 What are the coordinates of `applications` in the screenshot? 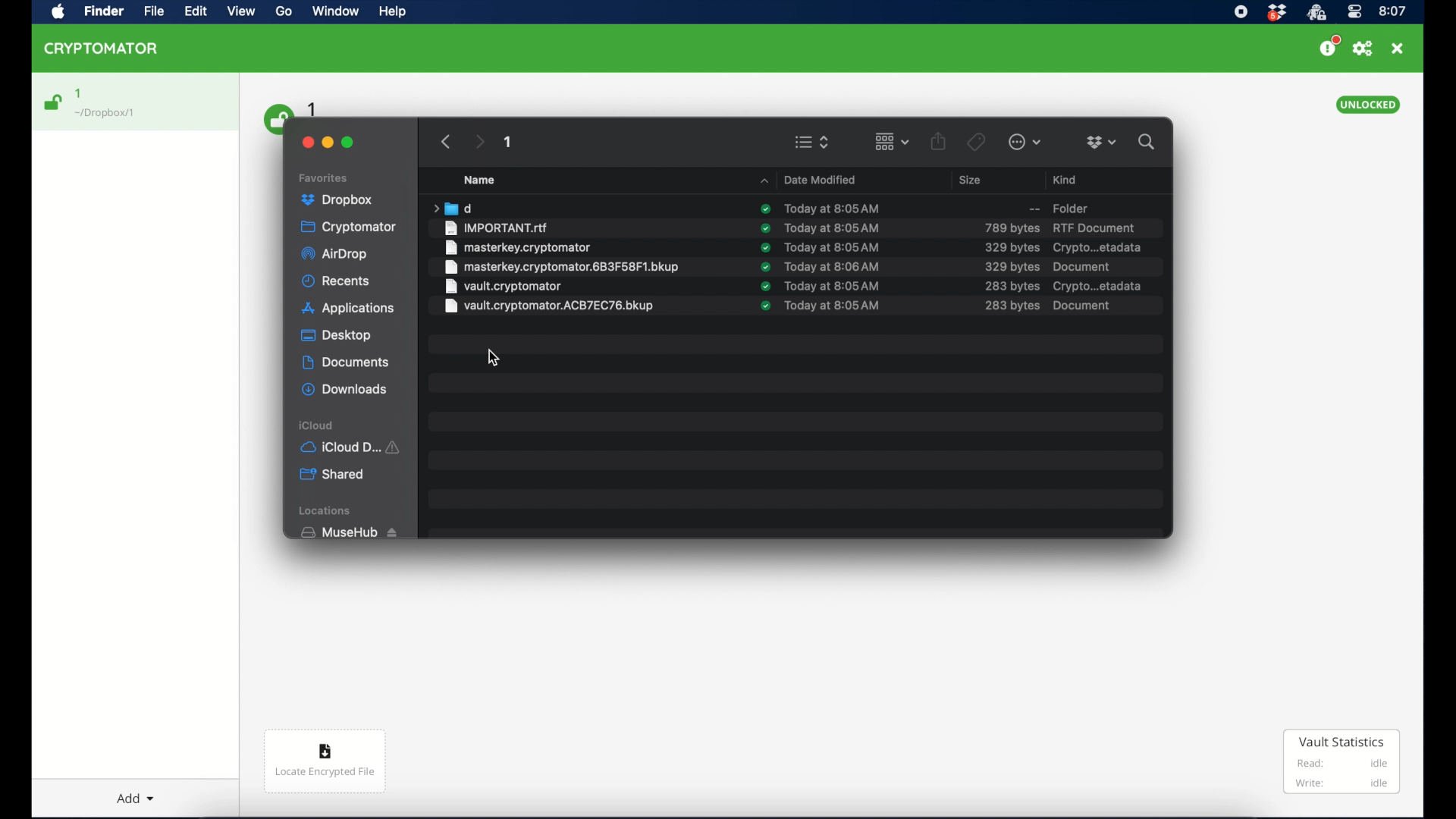 It's located at (349, 309).